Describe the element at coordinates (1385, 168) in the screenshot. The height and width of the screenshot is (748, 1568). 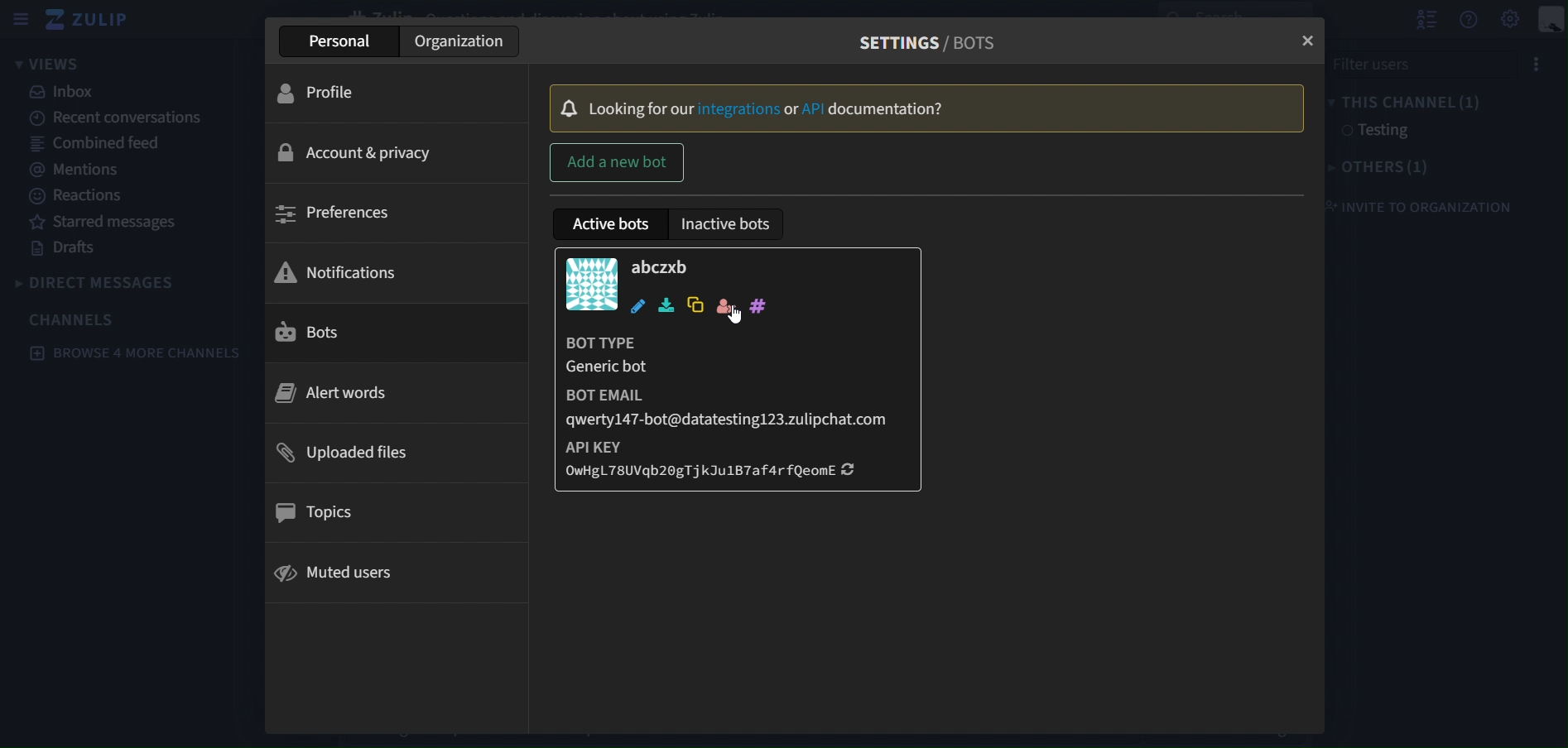
I see `others` at that location.